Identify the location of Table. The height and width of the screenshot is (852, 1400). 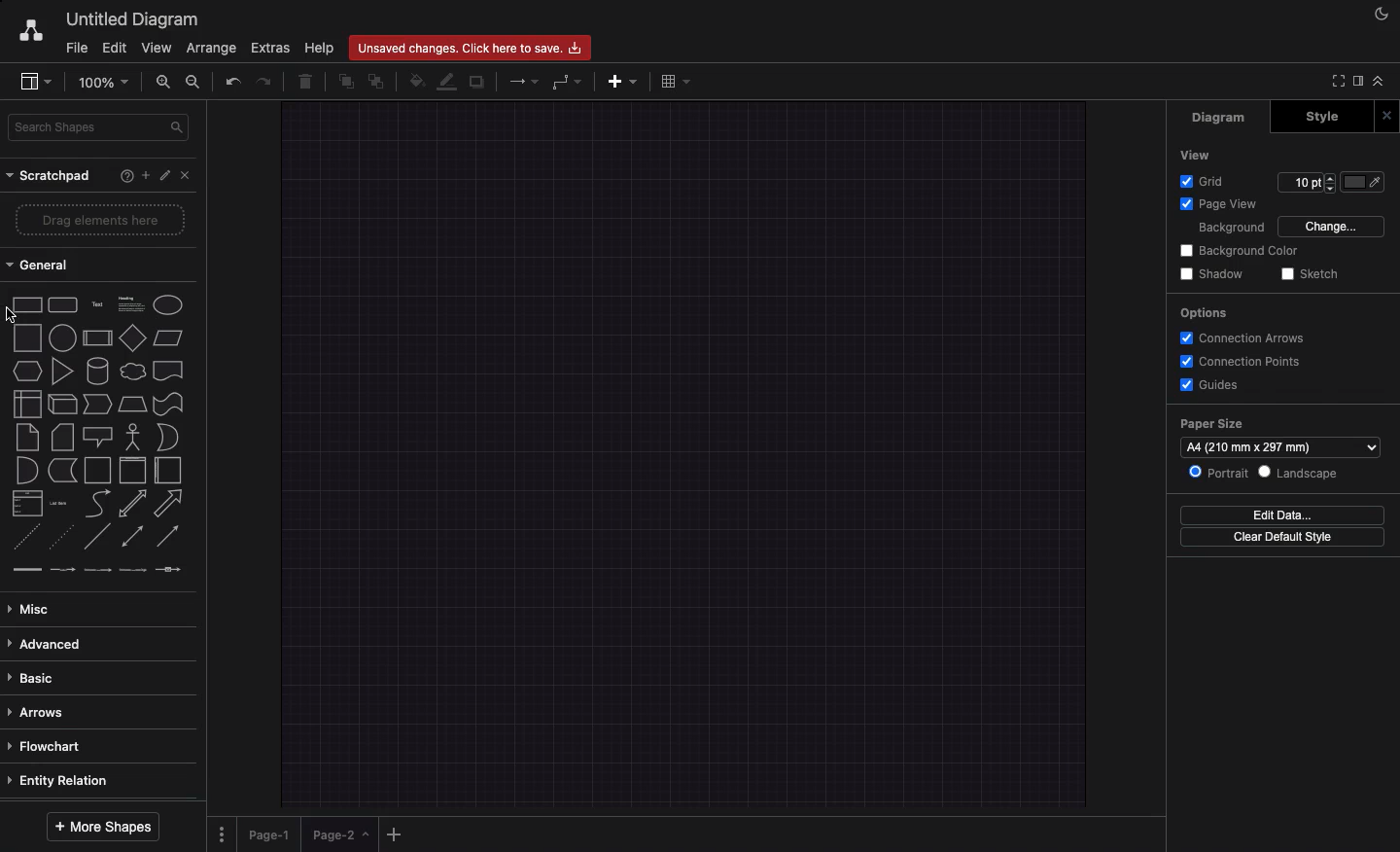
(673, 81).